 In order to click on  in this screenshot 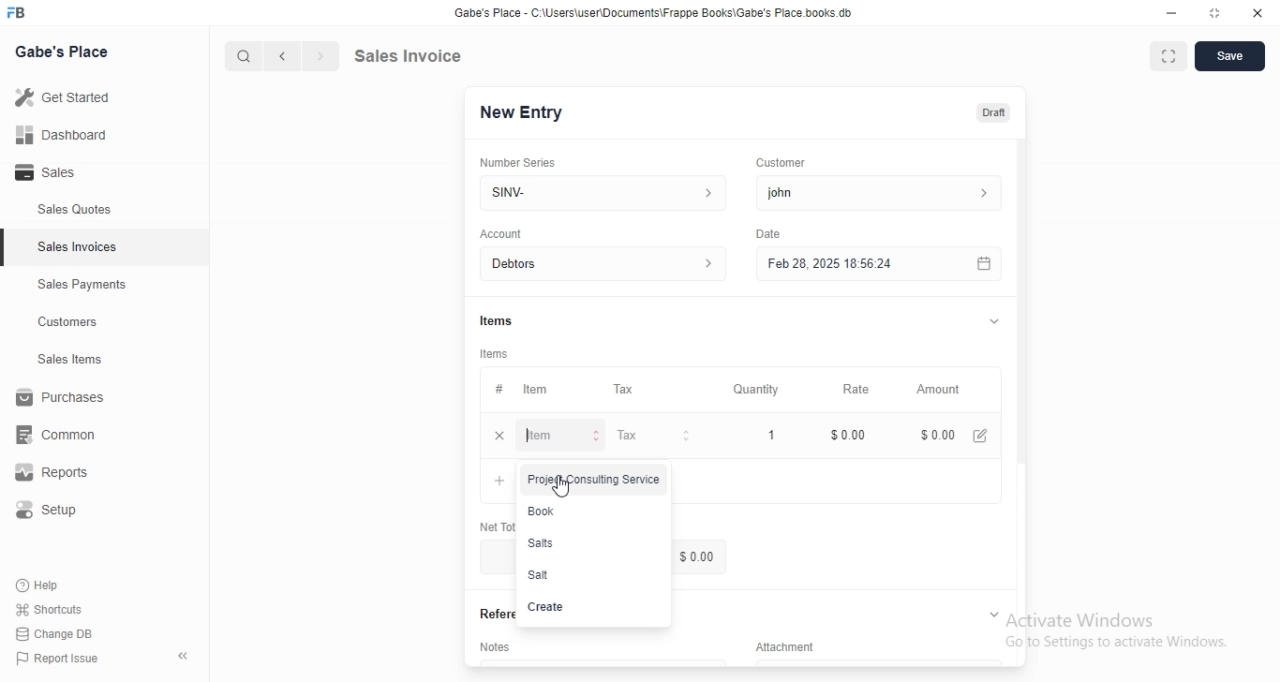, I will do `click(796, 646)`.